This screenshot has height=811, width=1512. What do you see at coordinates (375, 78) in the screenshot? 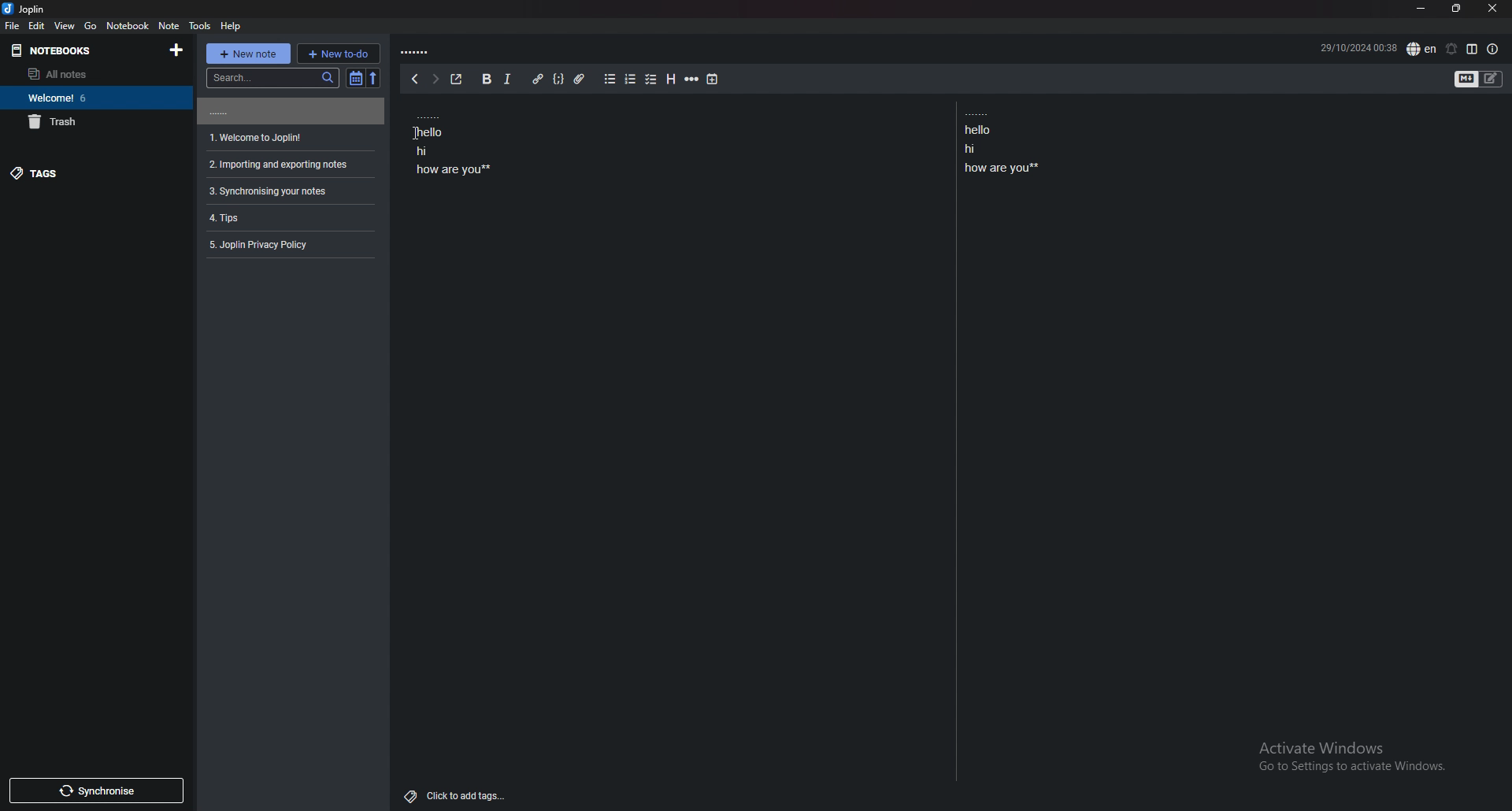
I see `reverse sort order` at bounding box center [375, 78].